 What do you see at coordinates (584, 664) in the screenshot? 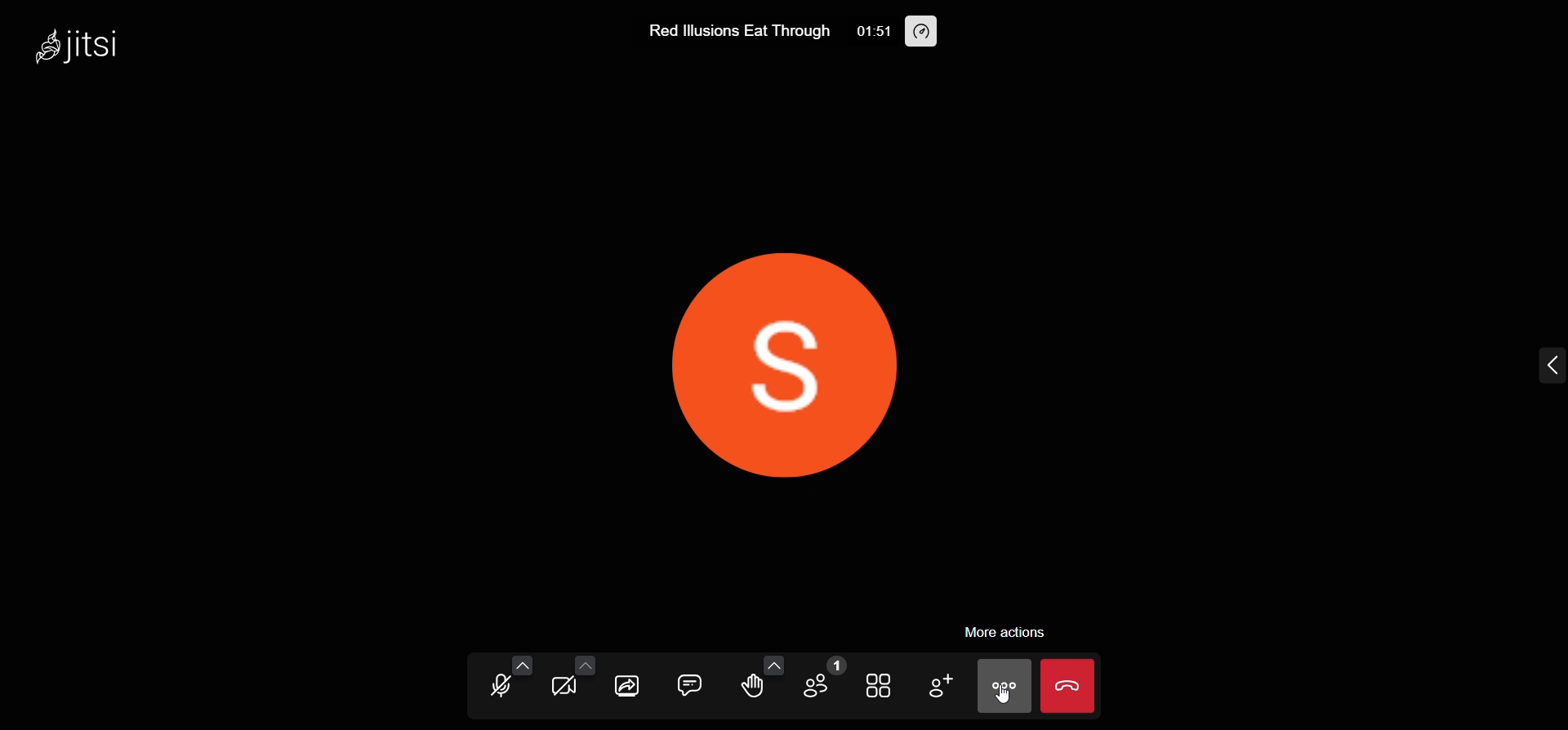
I see `more camera options` at bounding box center [584, 664].